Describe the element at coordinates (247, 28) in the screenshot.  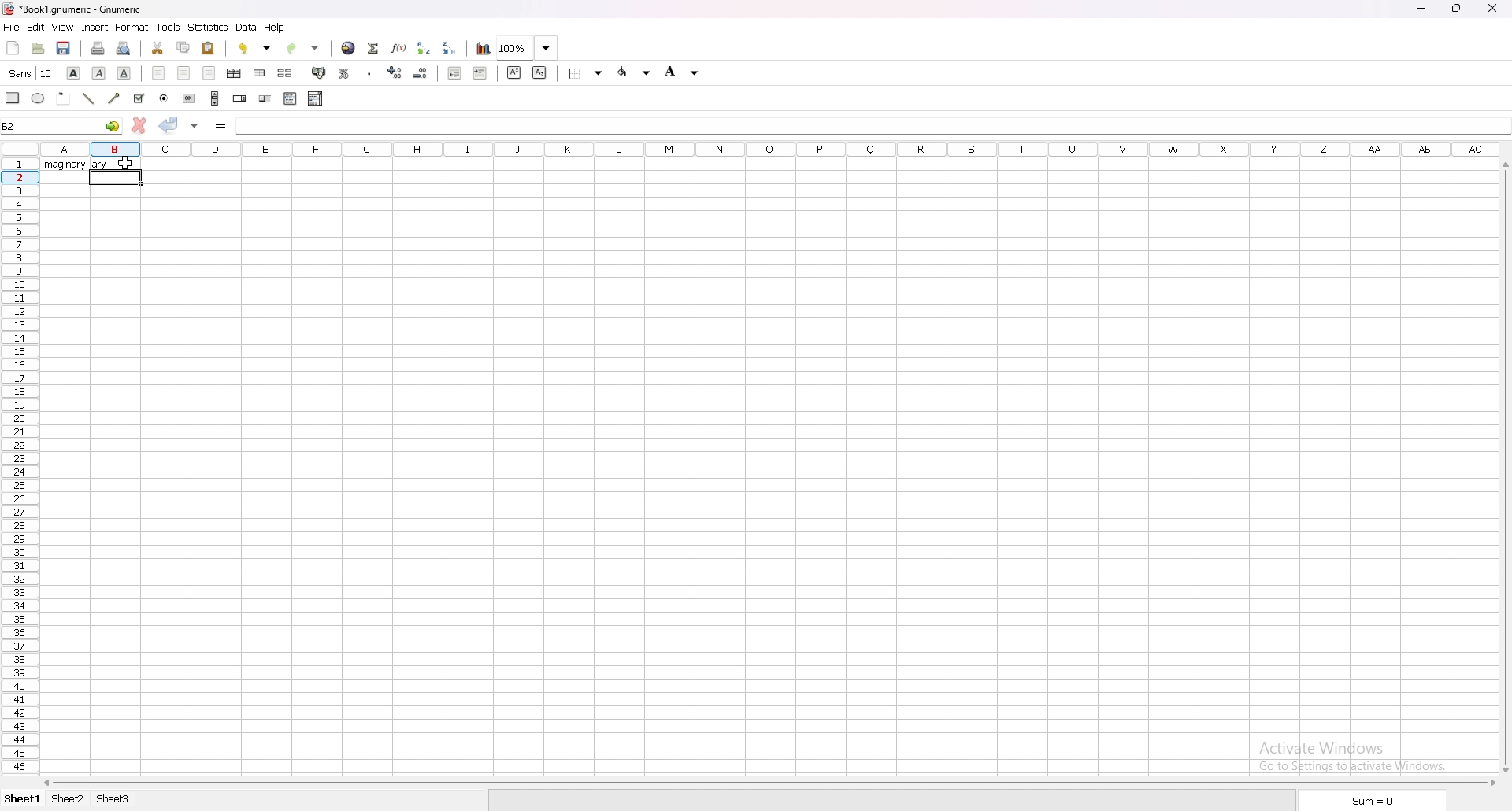
I see `data` at that location.